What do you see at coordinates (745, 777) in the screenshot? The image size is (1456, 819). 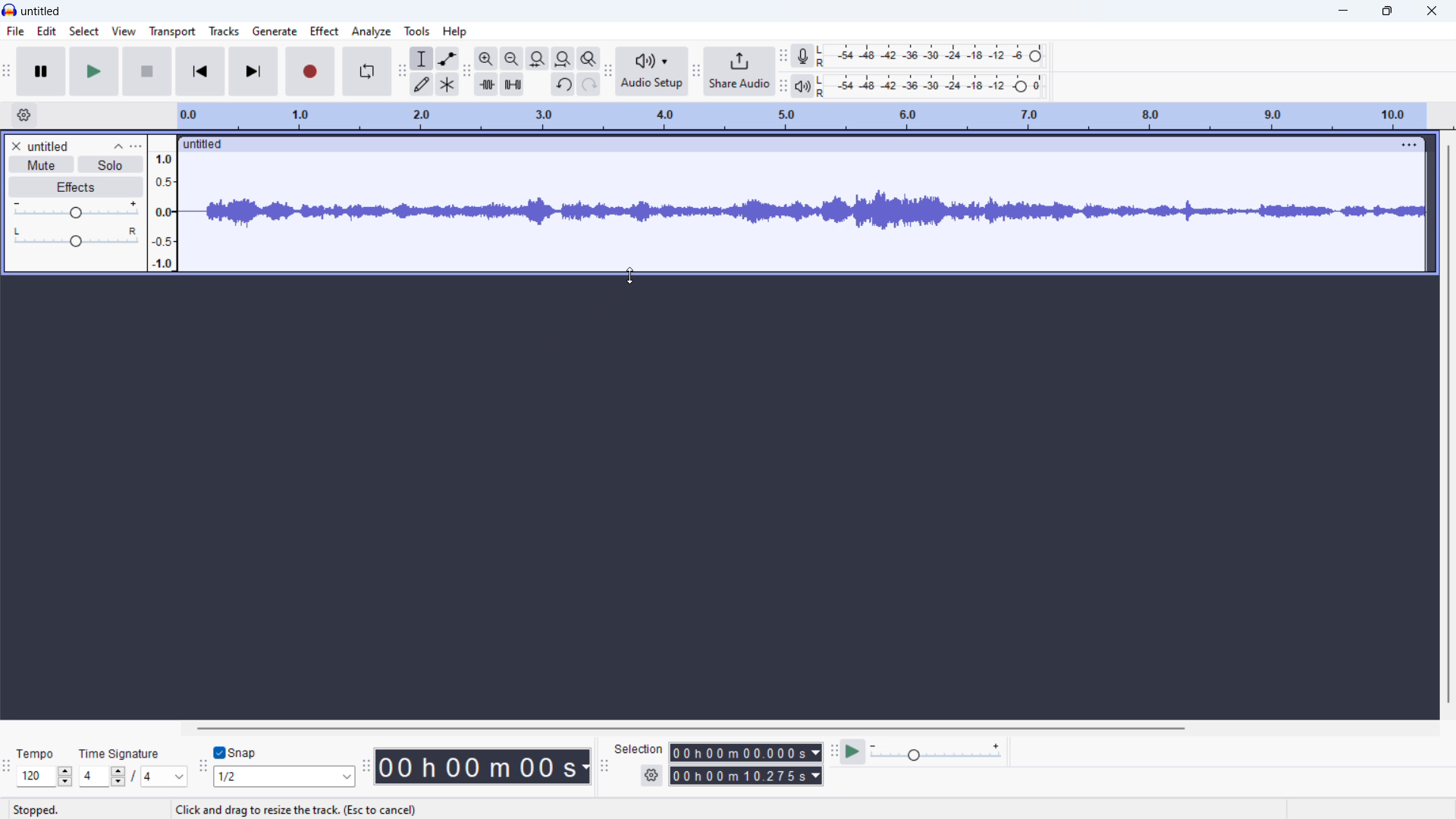 I see `end time` at bounding box center [745, 777].